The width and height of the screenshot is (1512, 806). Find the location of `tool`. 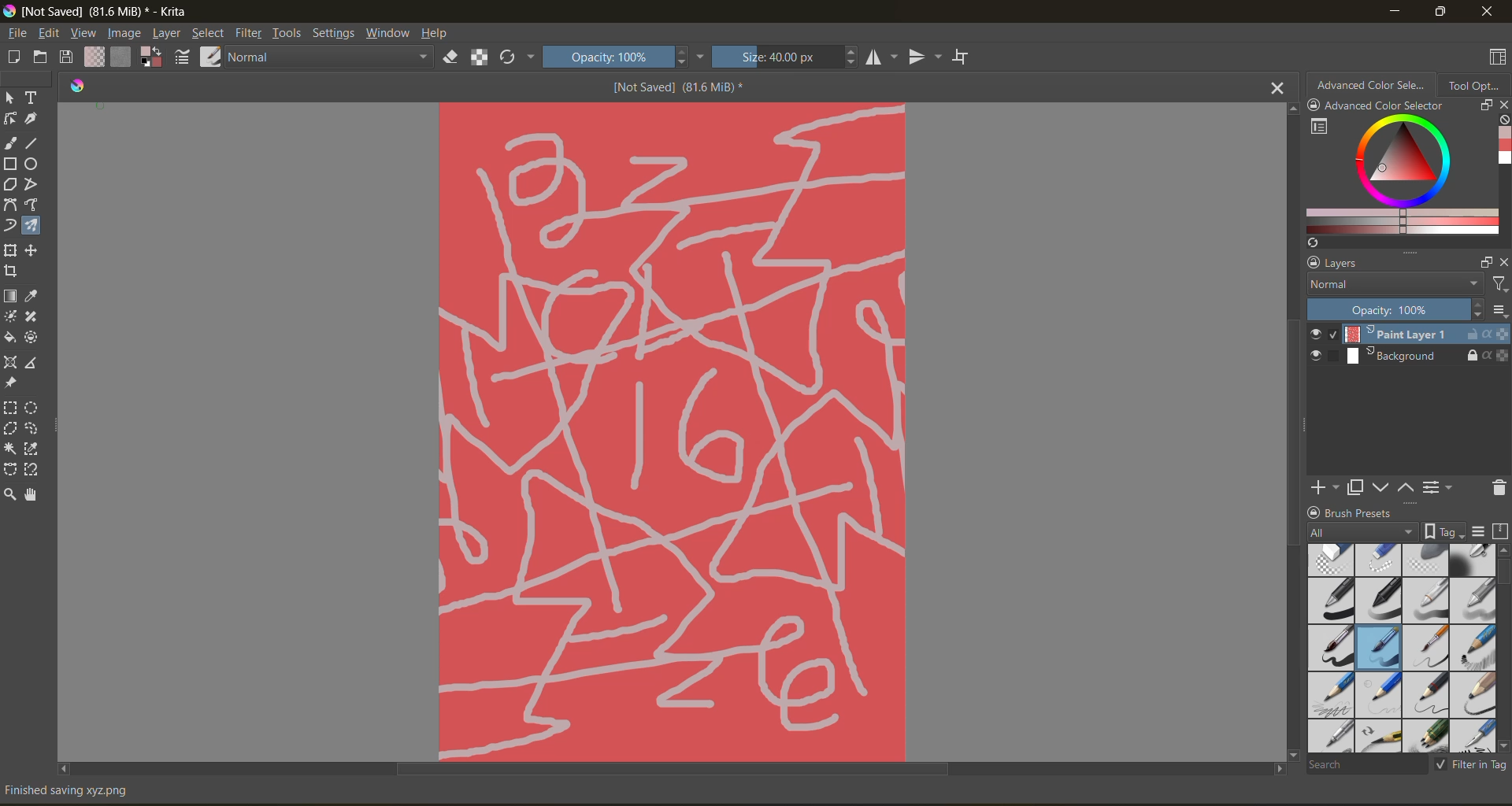

tool is located at coordinates (9, 142).